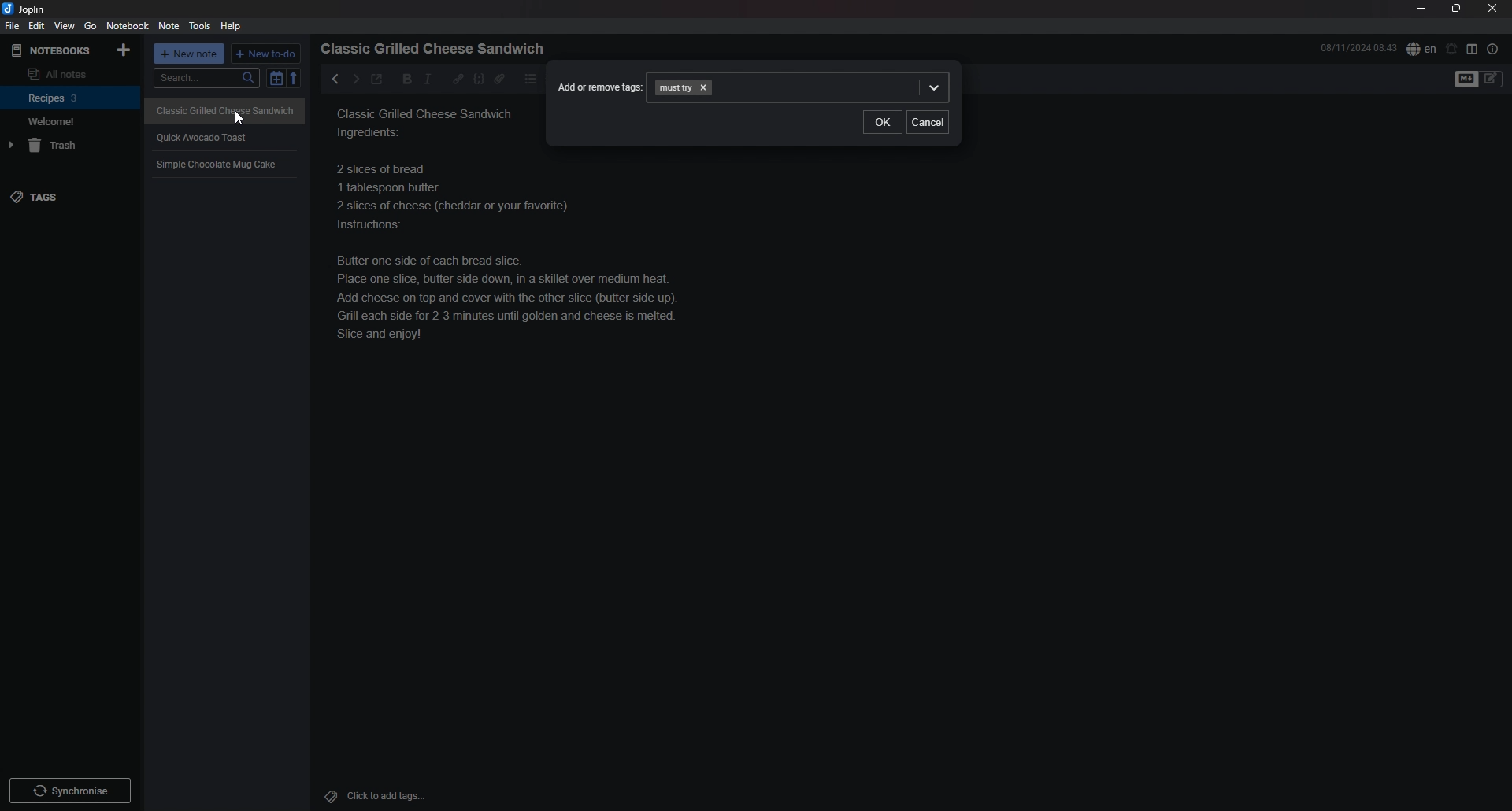  Describe the element at coordinates (1452, 48) in the screenshot. I see `set alarm` at that location.